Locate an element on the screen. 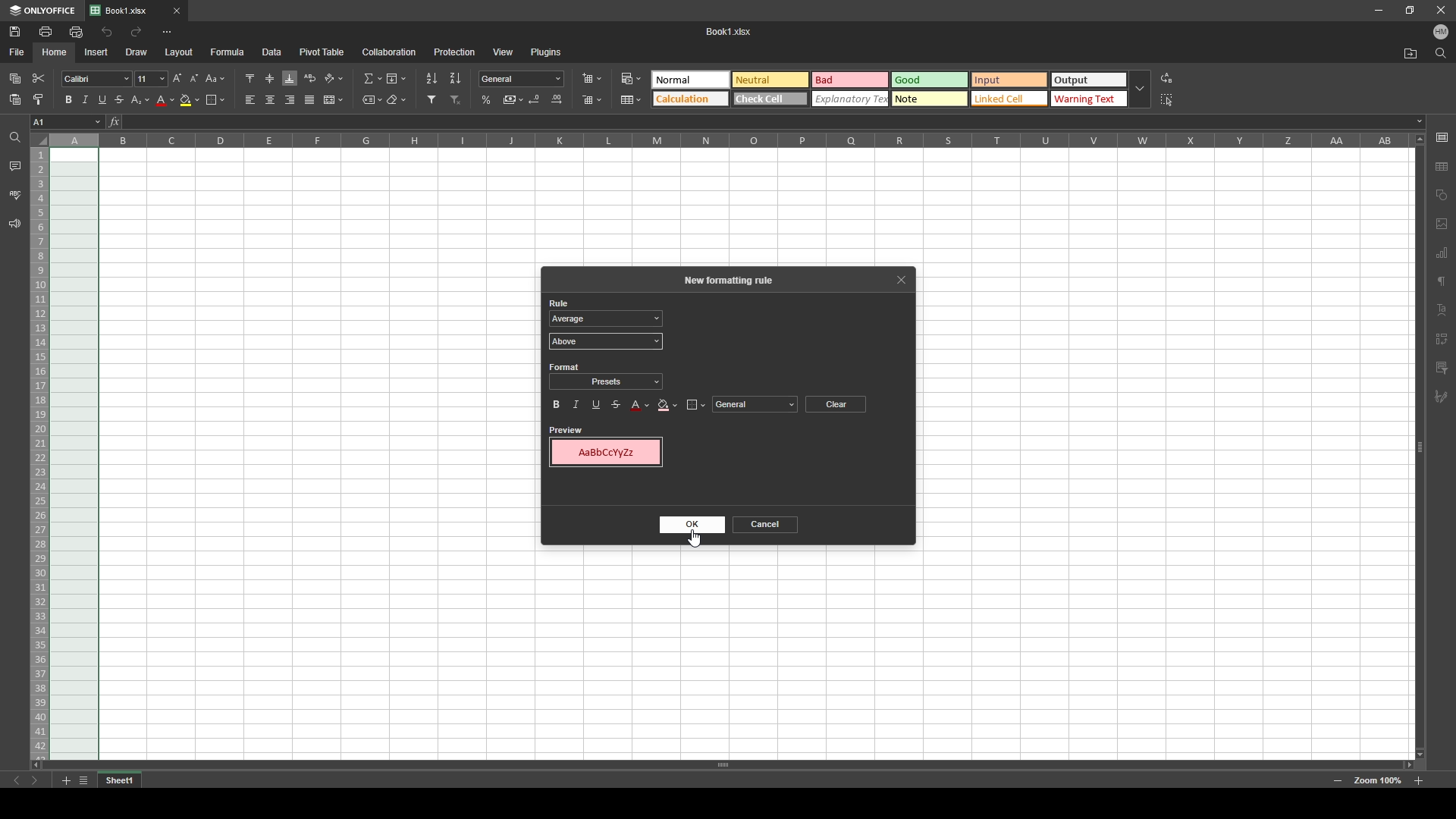 This screenshot has height=819, width=1456. cells is located at coordinates (975, 655).